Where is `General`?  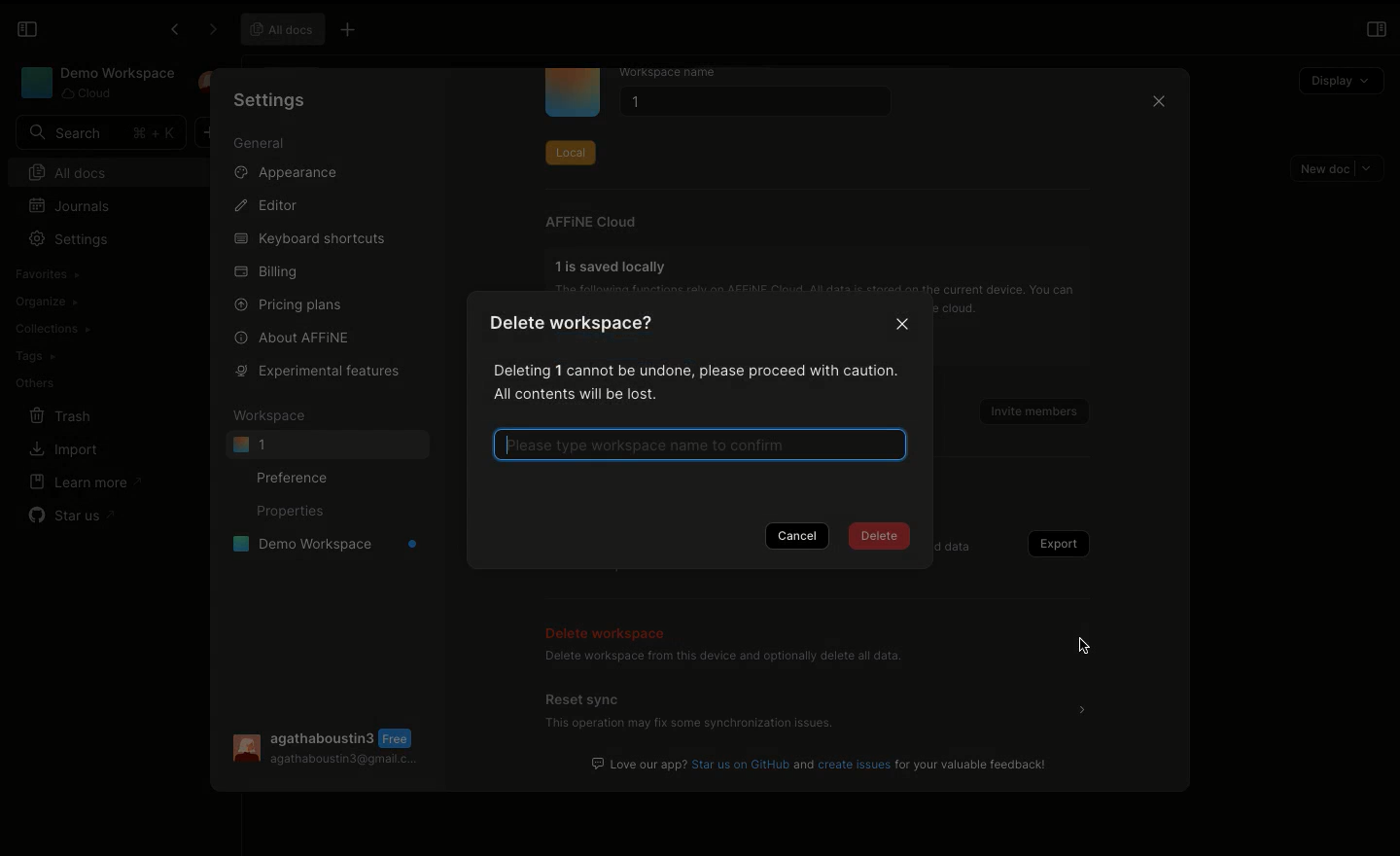 General is located at coordinates (260, 144).